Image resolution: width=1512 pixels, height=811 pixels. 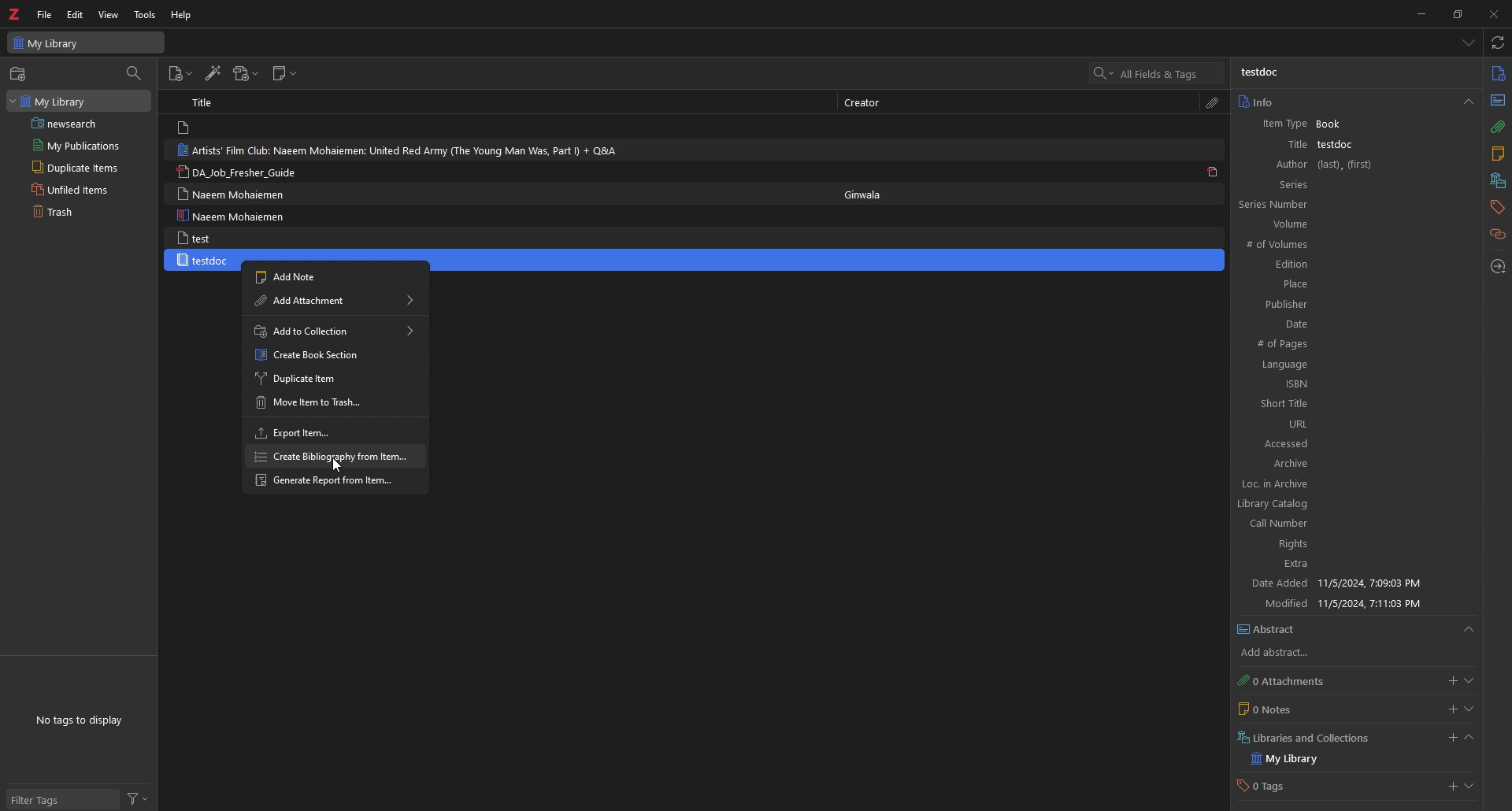 What do you see at coordinates (1345, 484) in the screenshot?
I see `Loc. in Archive` at bounding box center [1345, 484].